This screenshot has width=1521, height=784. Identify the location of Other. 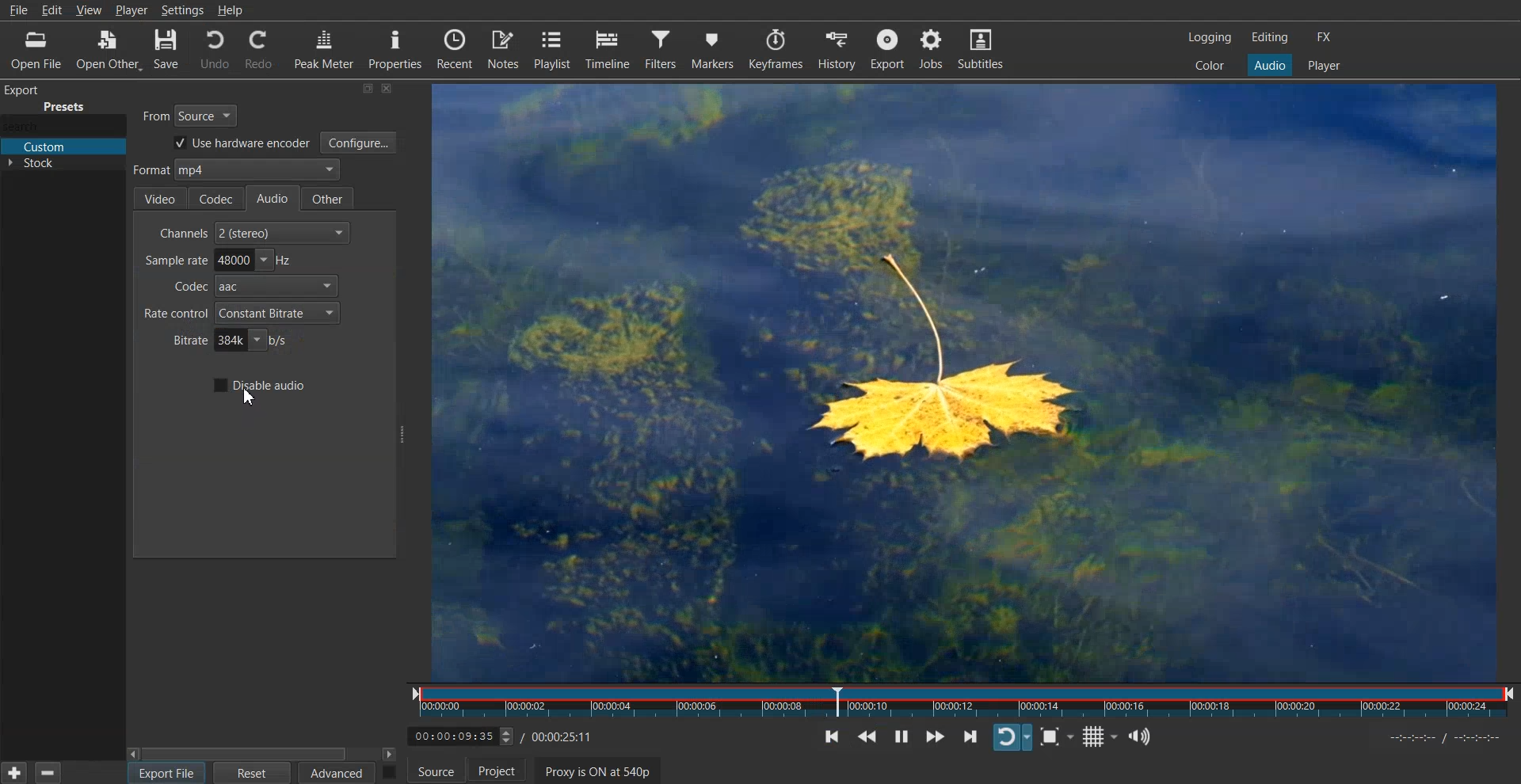
(330, 198).